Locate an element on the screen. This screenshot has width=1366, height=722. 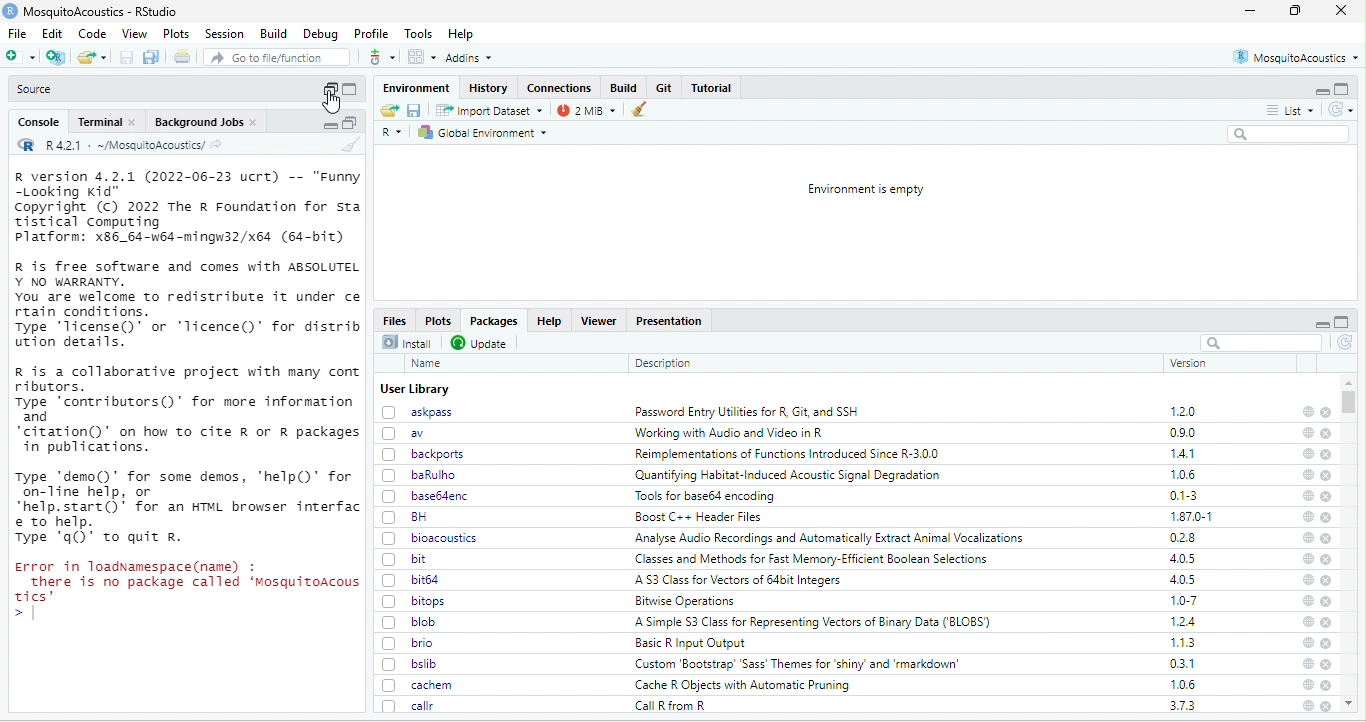
Connections is located at coordinates (560, 87).